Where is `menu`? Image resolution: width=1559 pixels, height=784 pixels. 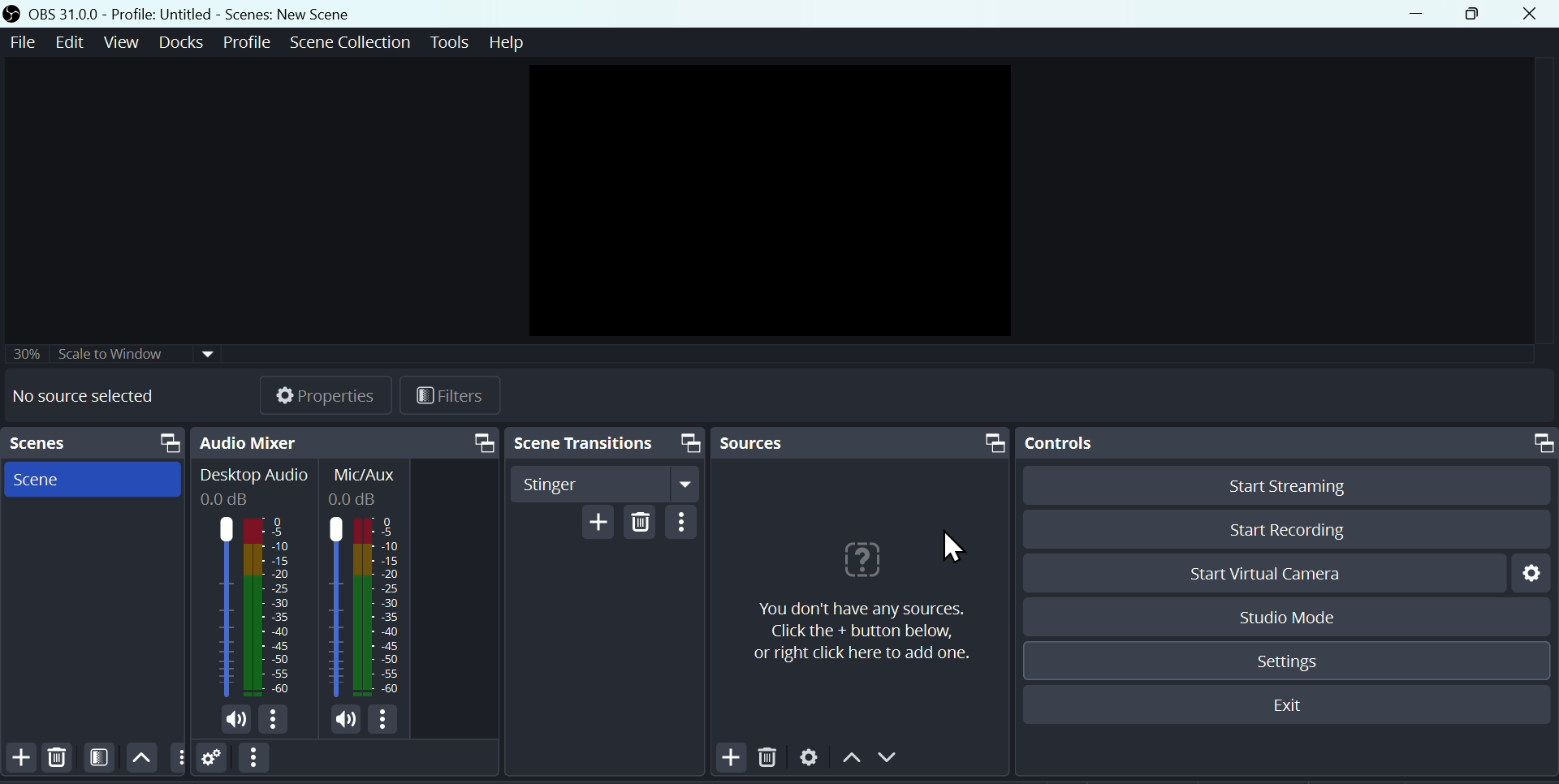 menu is located at coordinates (257, 759).